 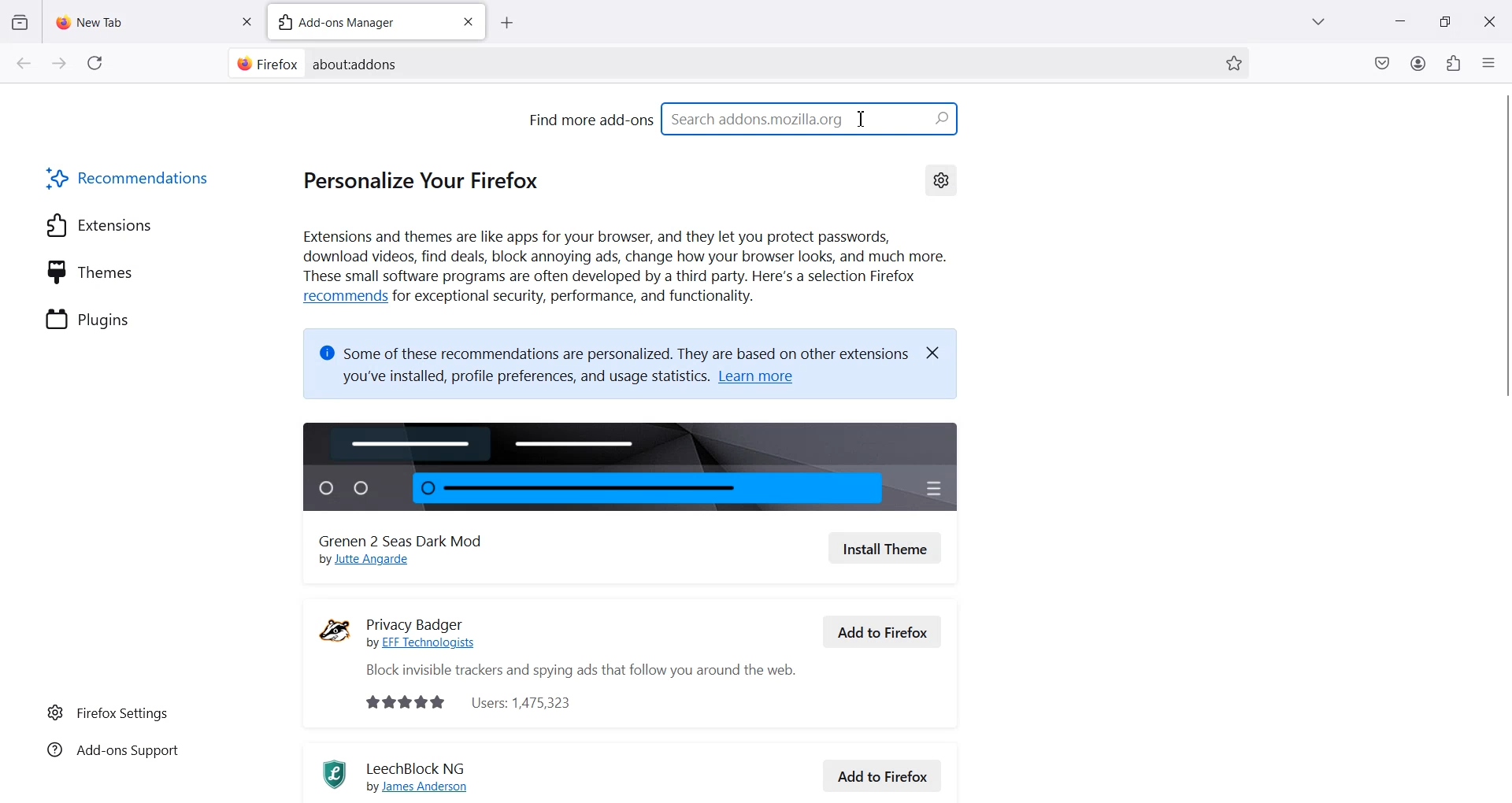 I want to click on Maximize, so click(x=1445, y=20).